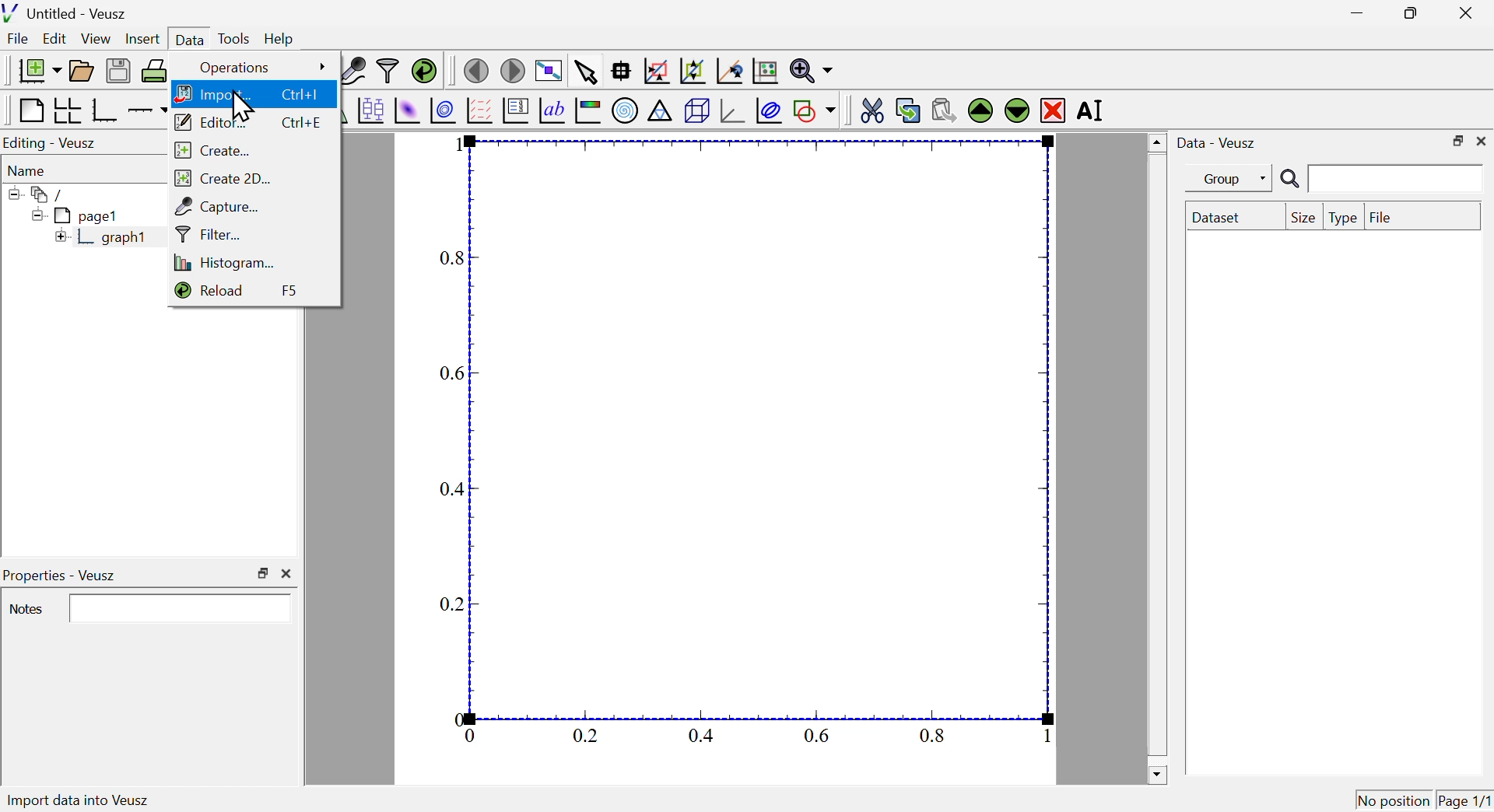 This screenshot has height=812, width=1494. What do you see at coordinates (731, 71) in the screenshot?
I see `recenter graph axes` at bounding box center [731, 71].